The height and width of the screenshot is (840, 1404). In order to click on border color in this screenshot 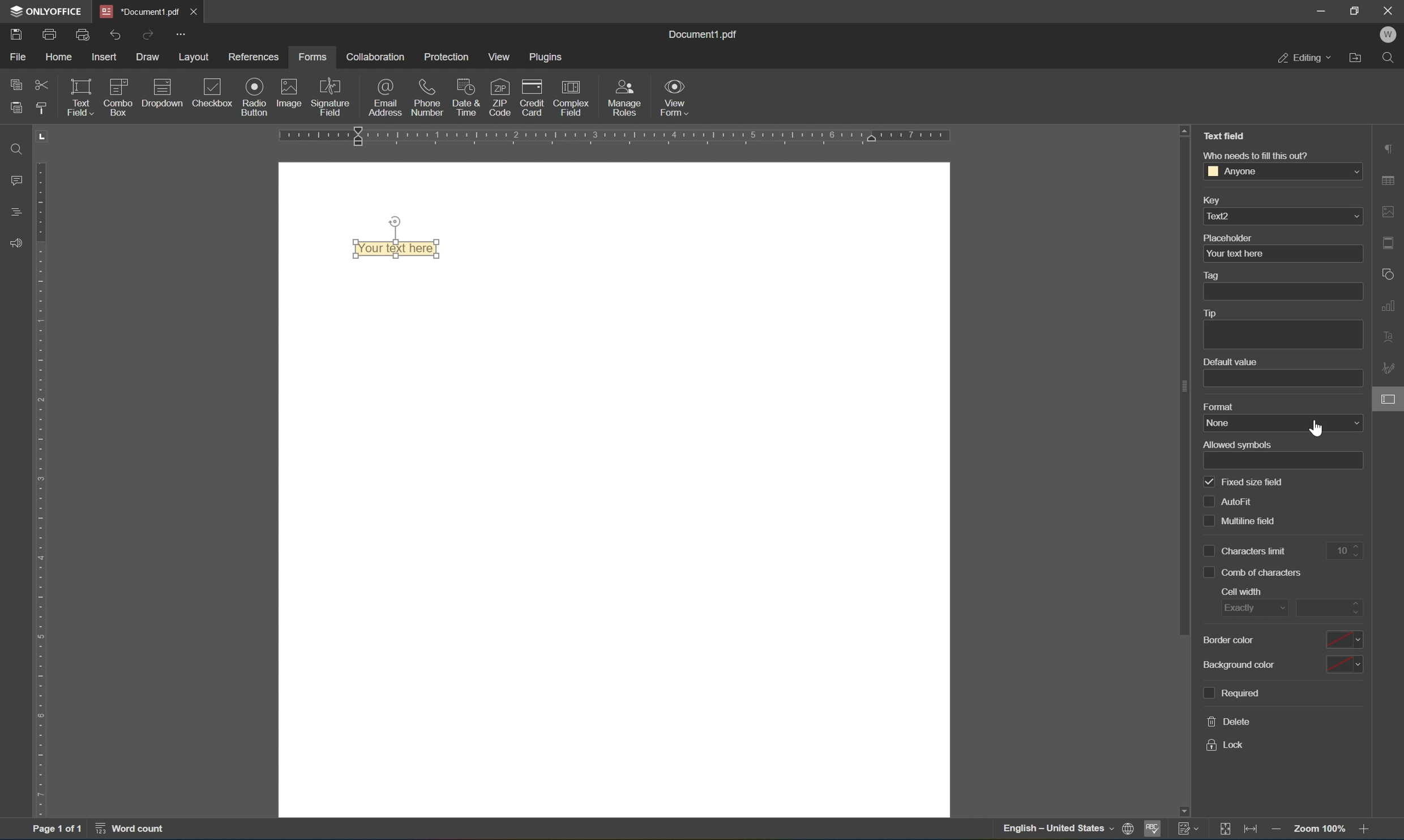, I will do `click(1228, 641)`.